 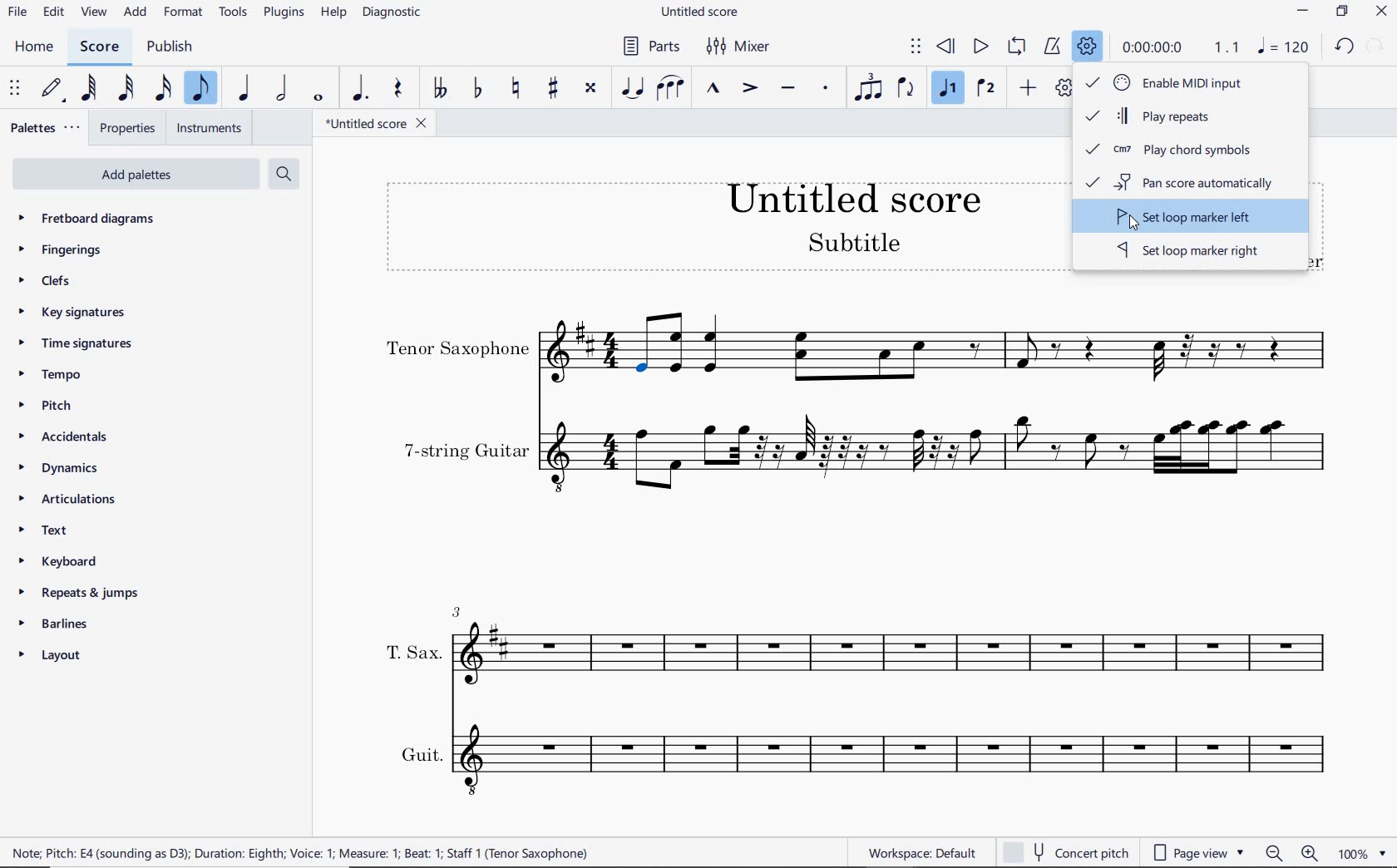 What do you see at coordinates (97, 47) in the screenshot?
I see `SCORE` at bounding box center [97, 47].